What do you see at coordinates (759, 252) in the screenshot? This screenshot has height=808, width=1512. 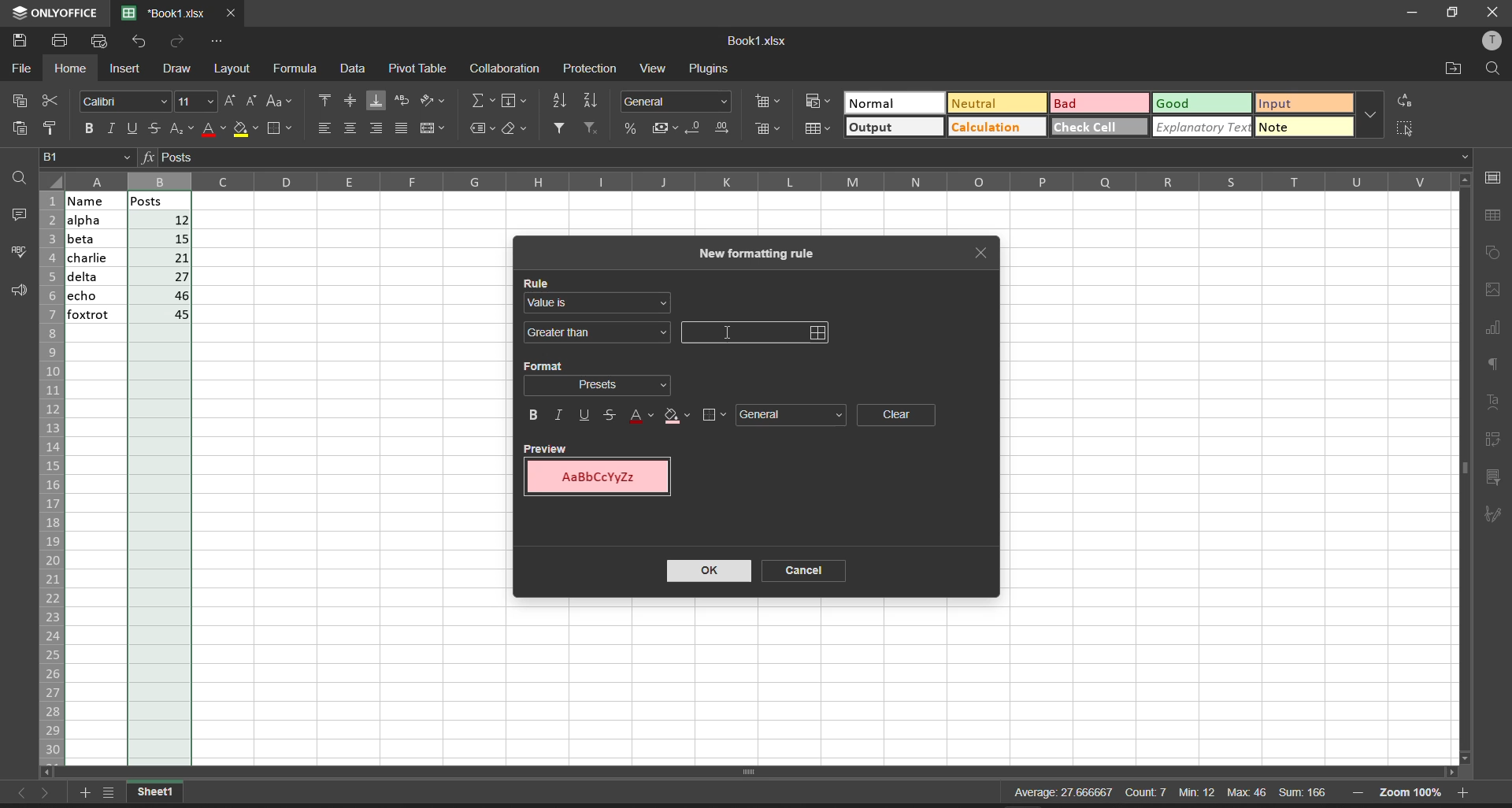 I see `new formating rule` at bounding box center [759, 252].